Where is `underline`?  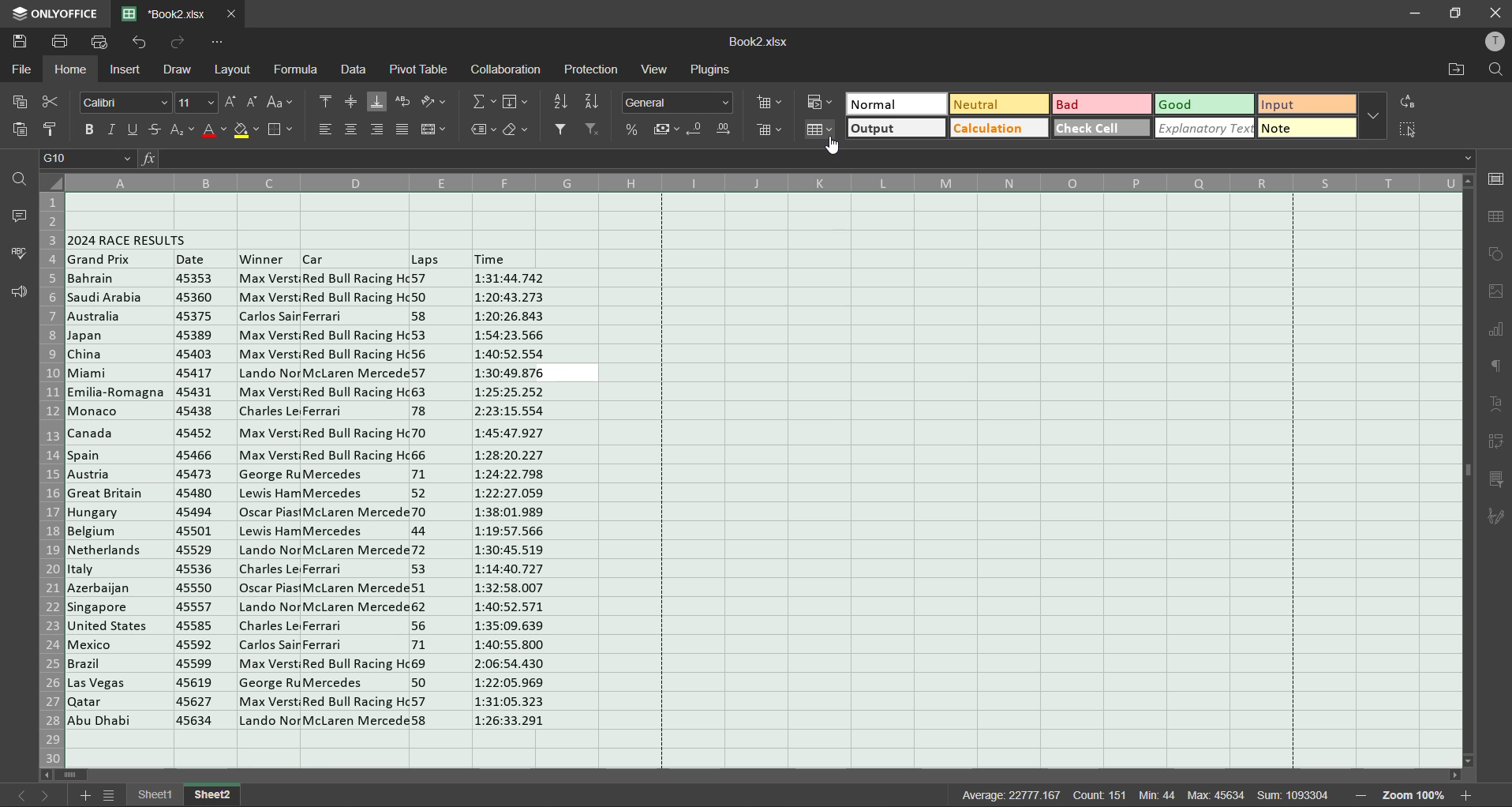
underline is located at coordinates (133, 131).